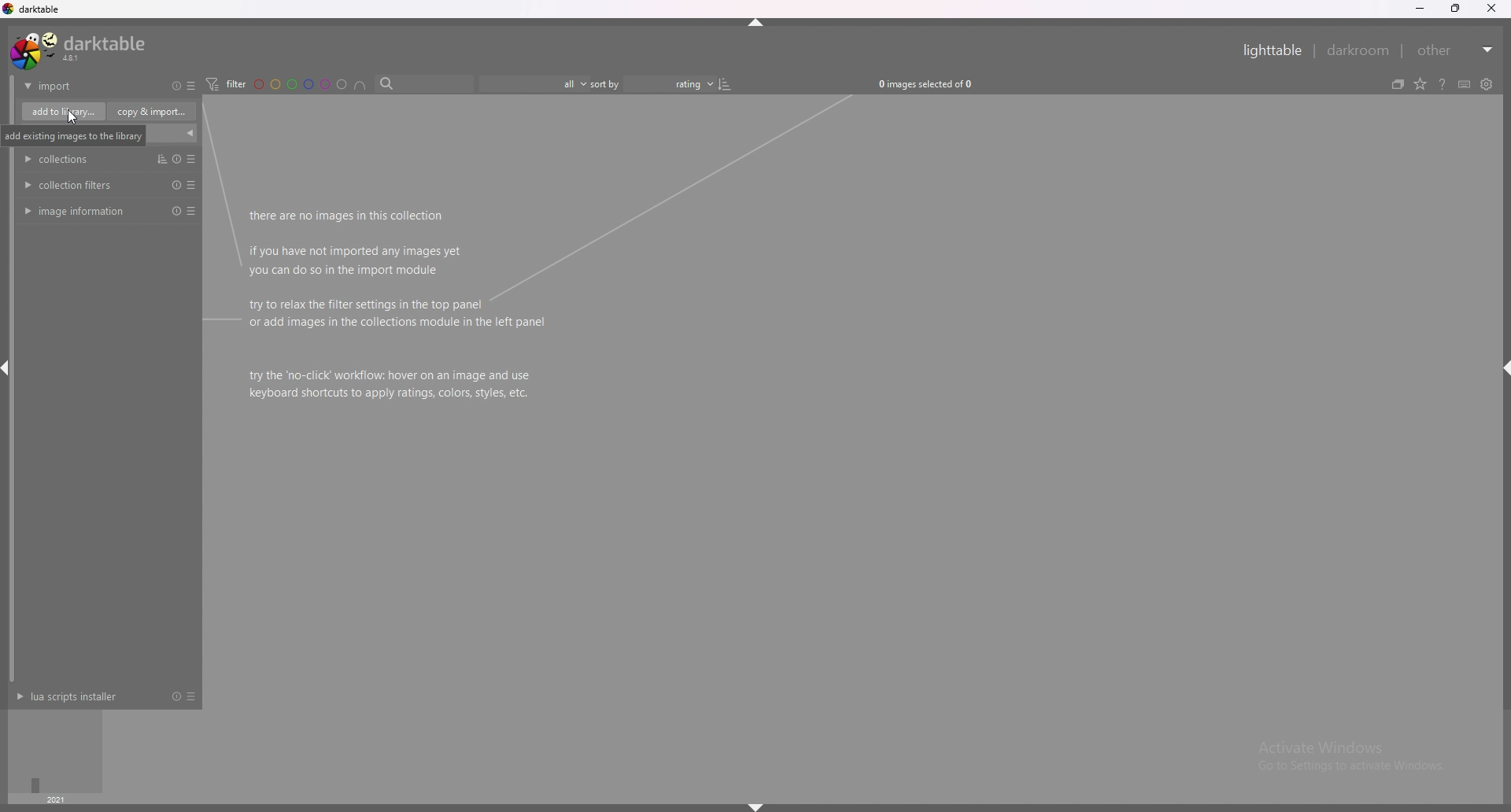 The width and height of the screenshot is (1511, 812). Describe the element at coordinates (173, 185) in the screenshot. I see `reset` at that location.